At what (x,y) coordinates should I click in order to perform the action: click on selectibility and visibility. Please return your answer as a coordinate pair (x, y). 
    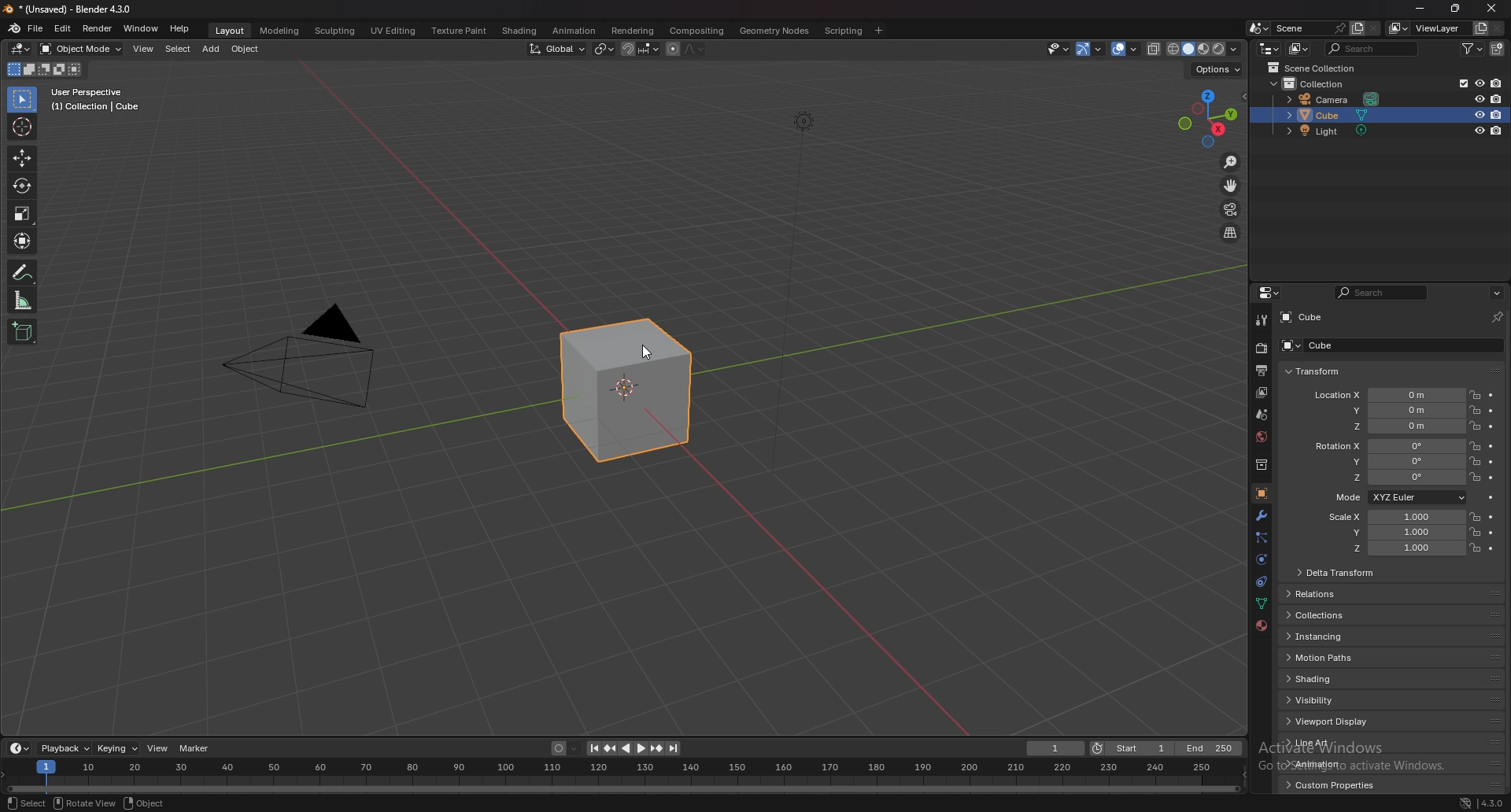
    Looking at the image, I should click on (1058, 49).